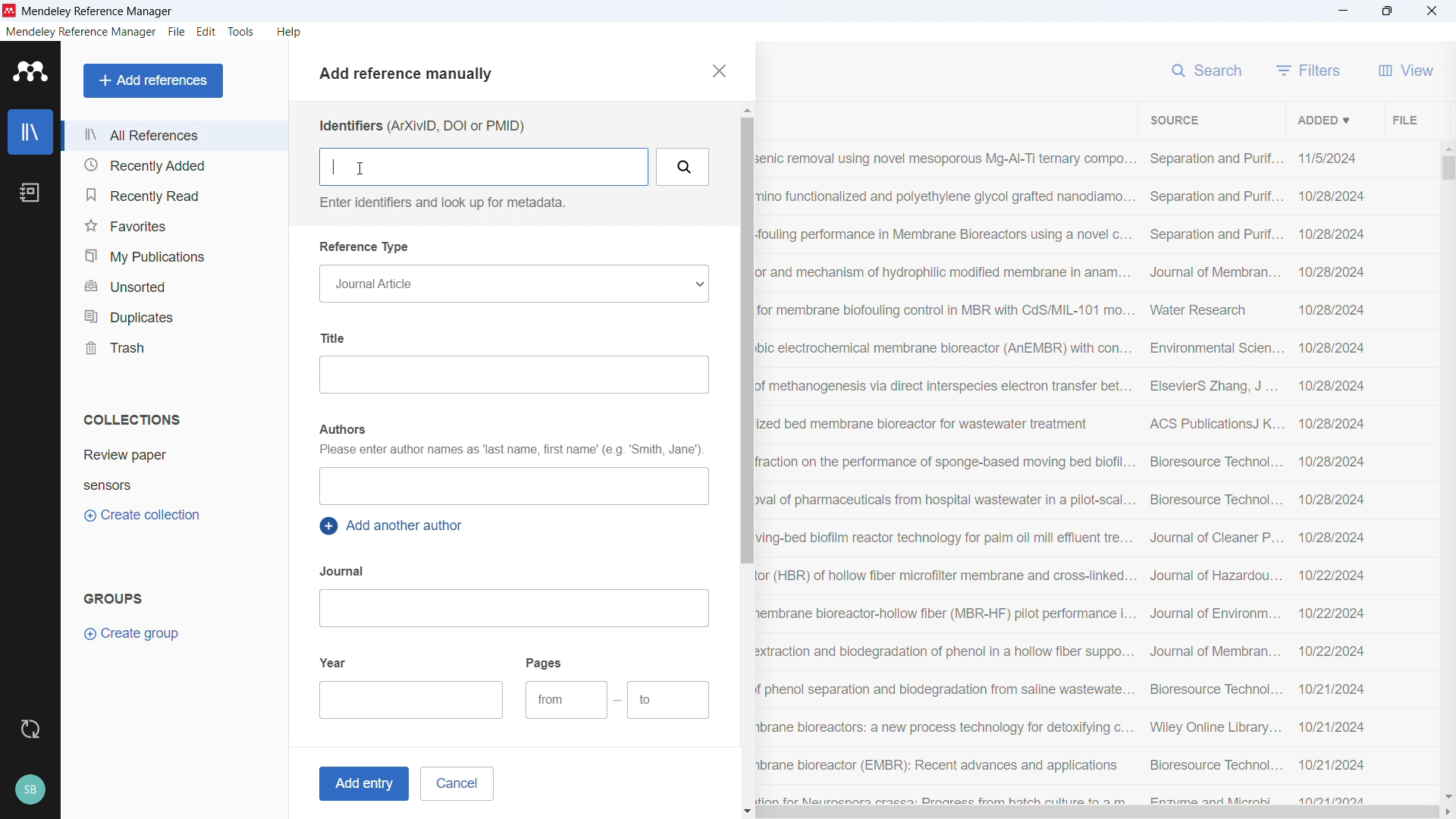 The height and width of the screenshot is (819, 1456). What do you see at coordinates (513, 486) in the screenshot?
I see `Add authors ` at bounding box center [513, 486].